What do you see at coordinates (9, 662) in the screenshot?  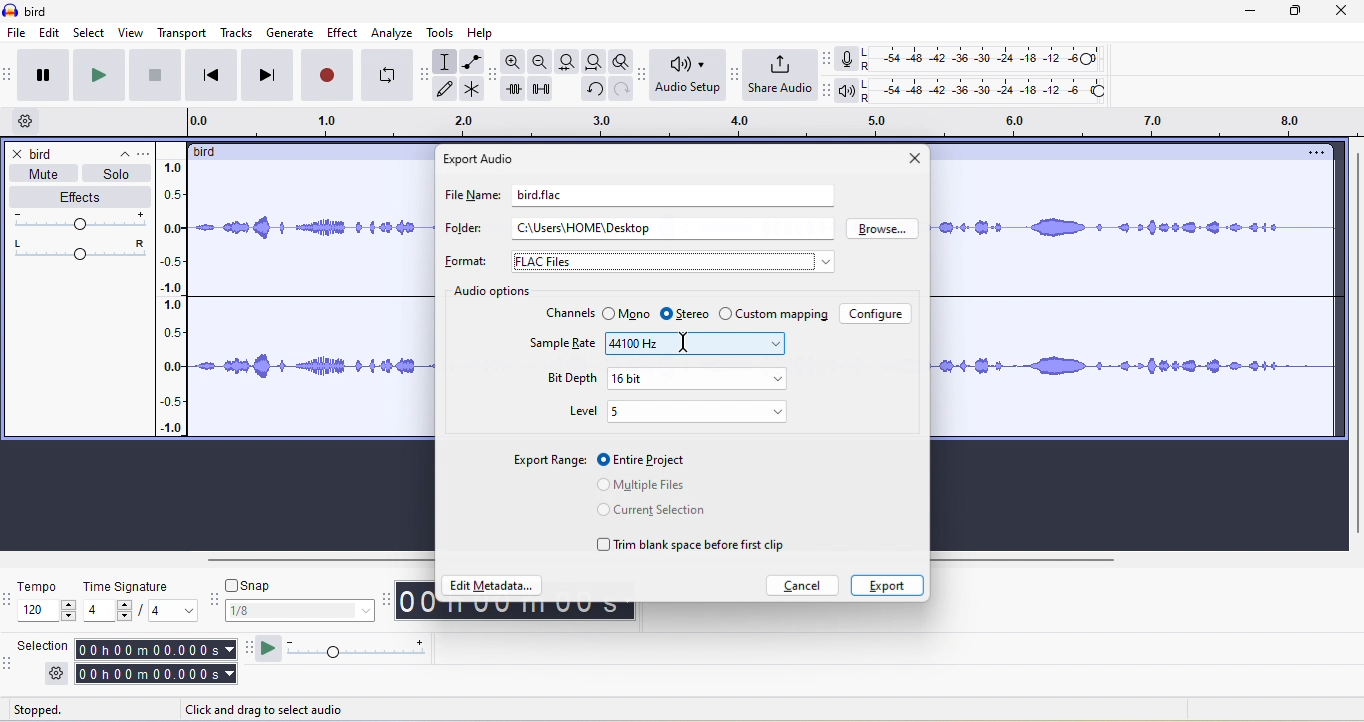 I see `audacity selection toolbar` at bounding box center [9, 662].